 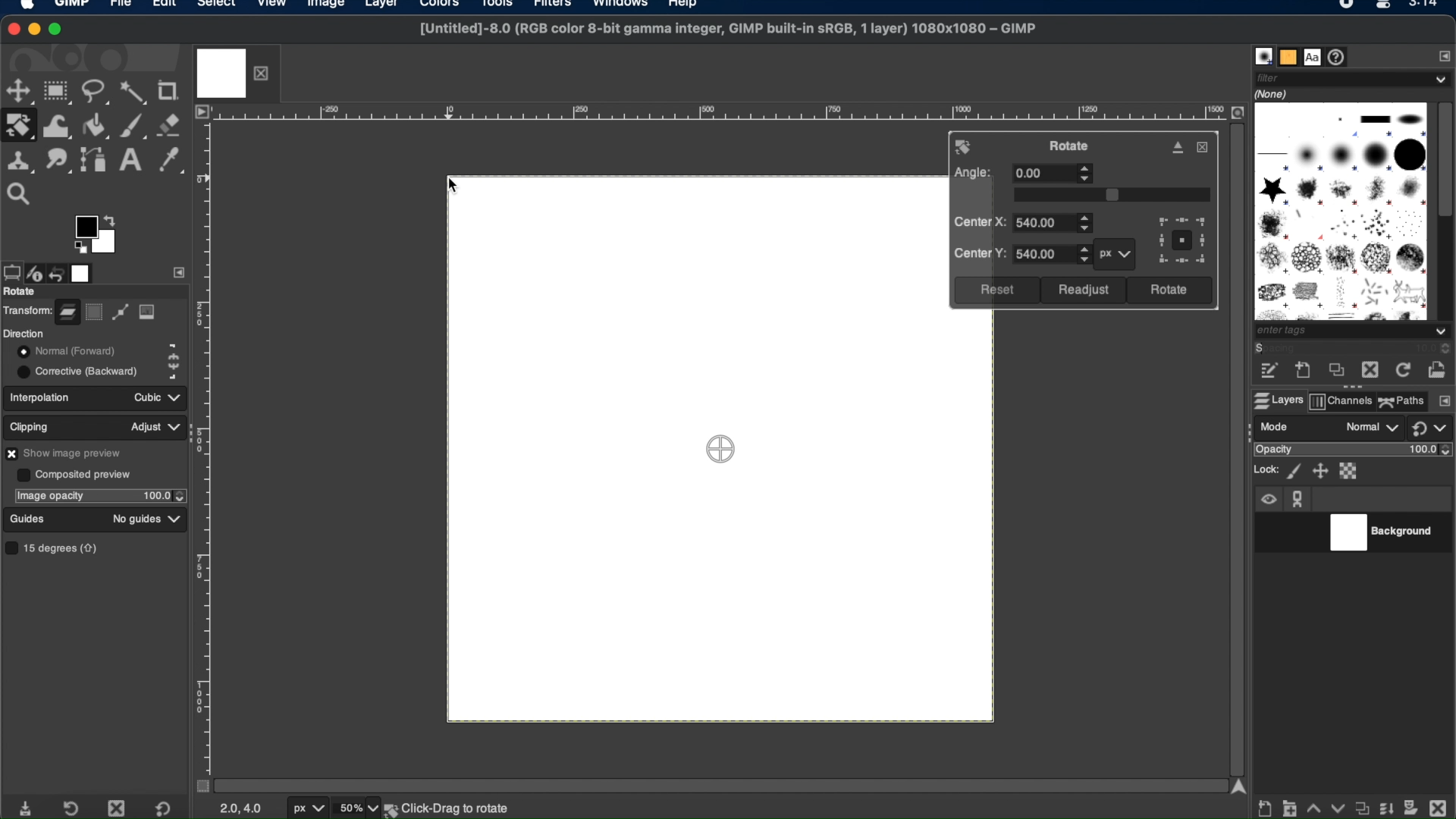 I want to click on lock alpha channel, so click(x=1351, y=471).